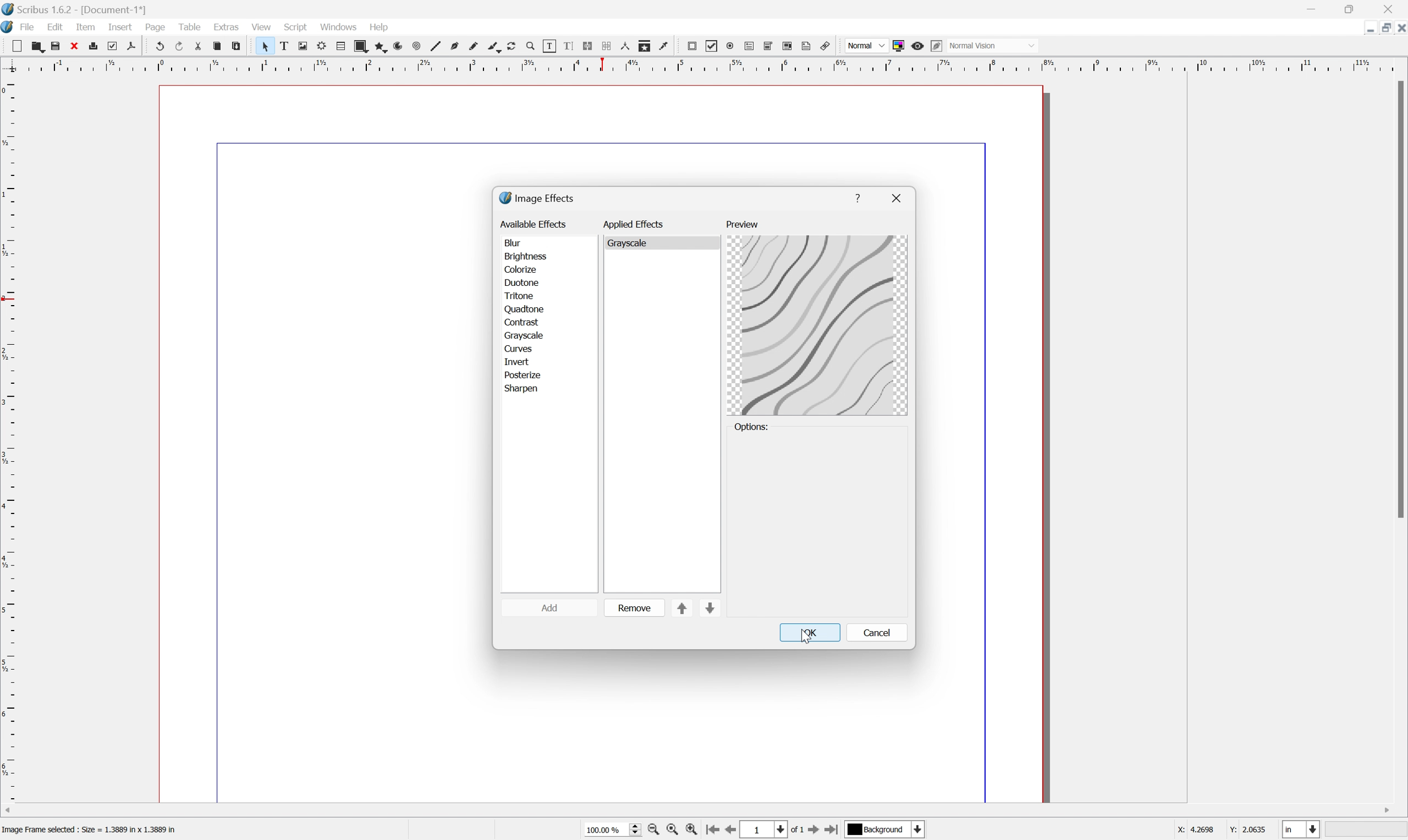 The width and height of the screenshot is (1408, 840). What do you see at coordinates (646, 45) in the screenshot?
I see `Copy item properties` at bounding box center [646, 45].